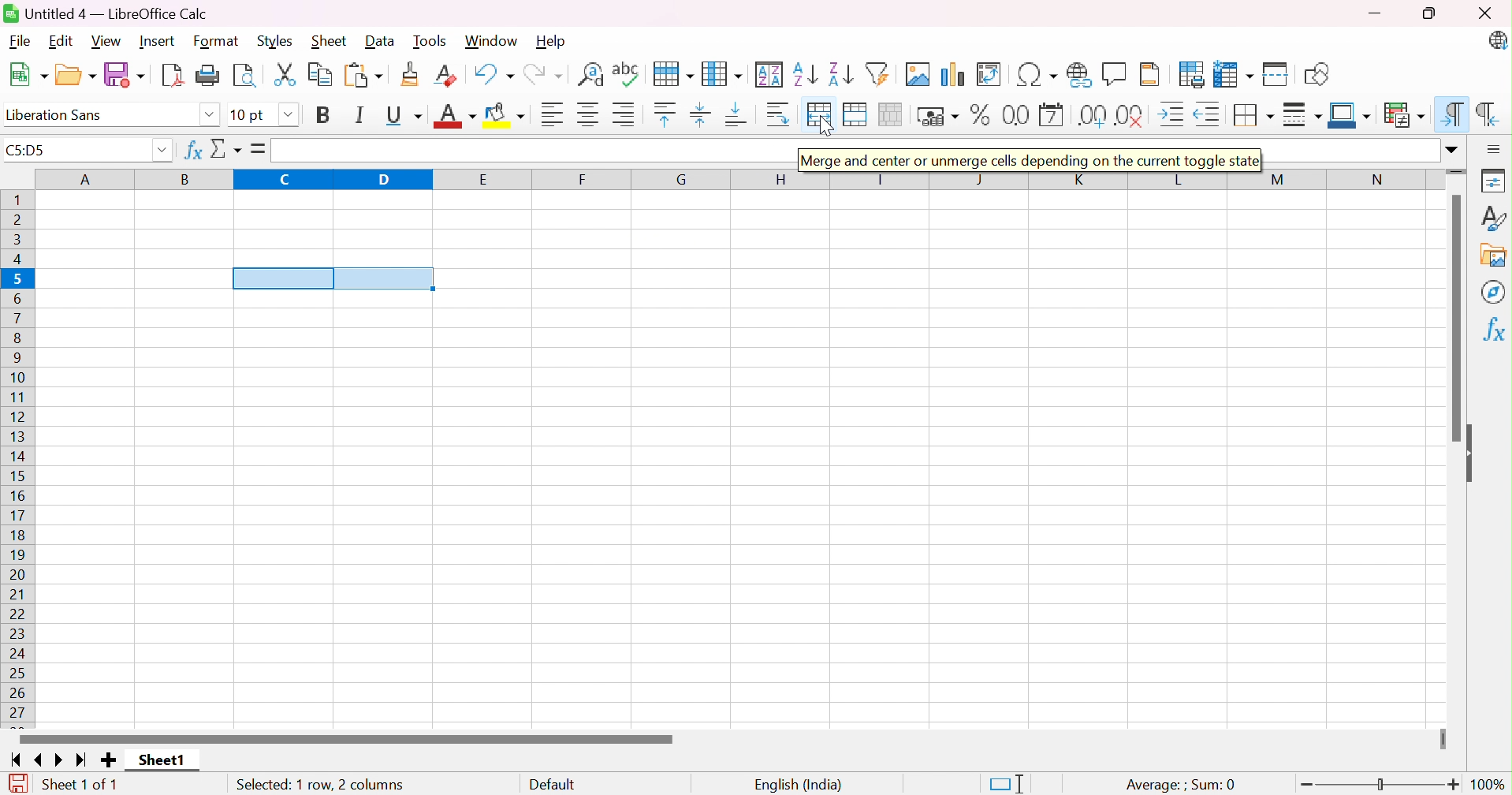 The width and height of the screenshot is (1512, 795). Describe the element at coordinates (554, 782) in the screenshot. I see `Default` at that location.